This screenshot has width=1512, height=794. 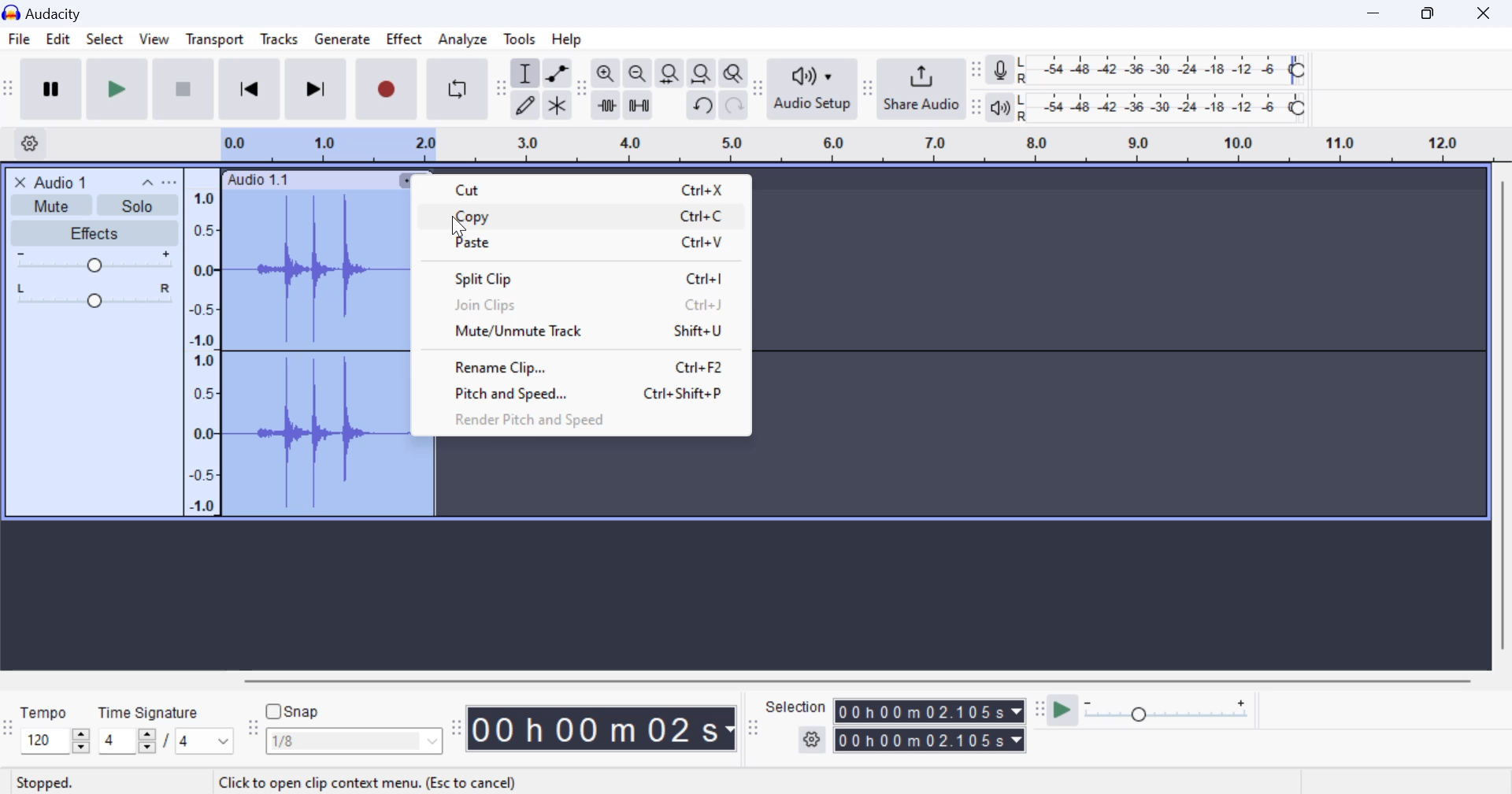 What do you see at coordinates (811, 88) in the screenshot?
I see `Audio Setup` at bounding box center [811, 88].